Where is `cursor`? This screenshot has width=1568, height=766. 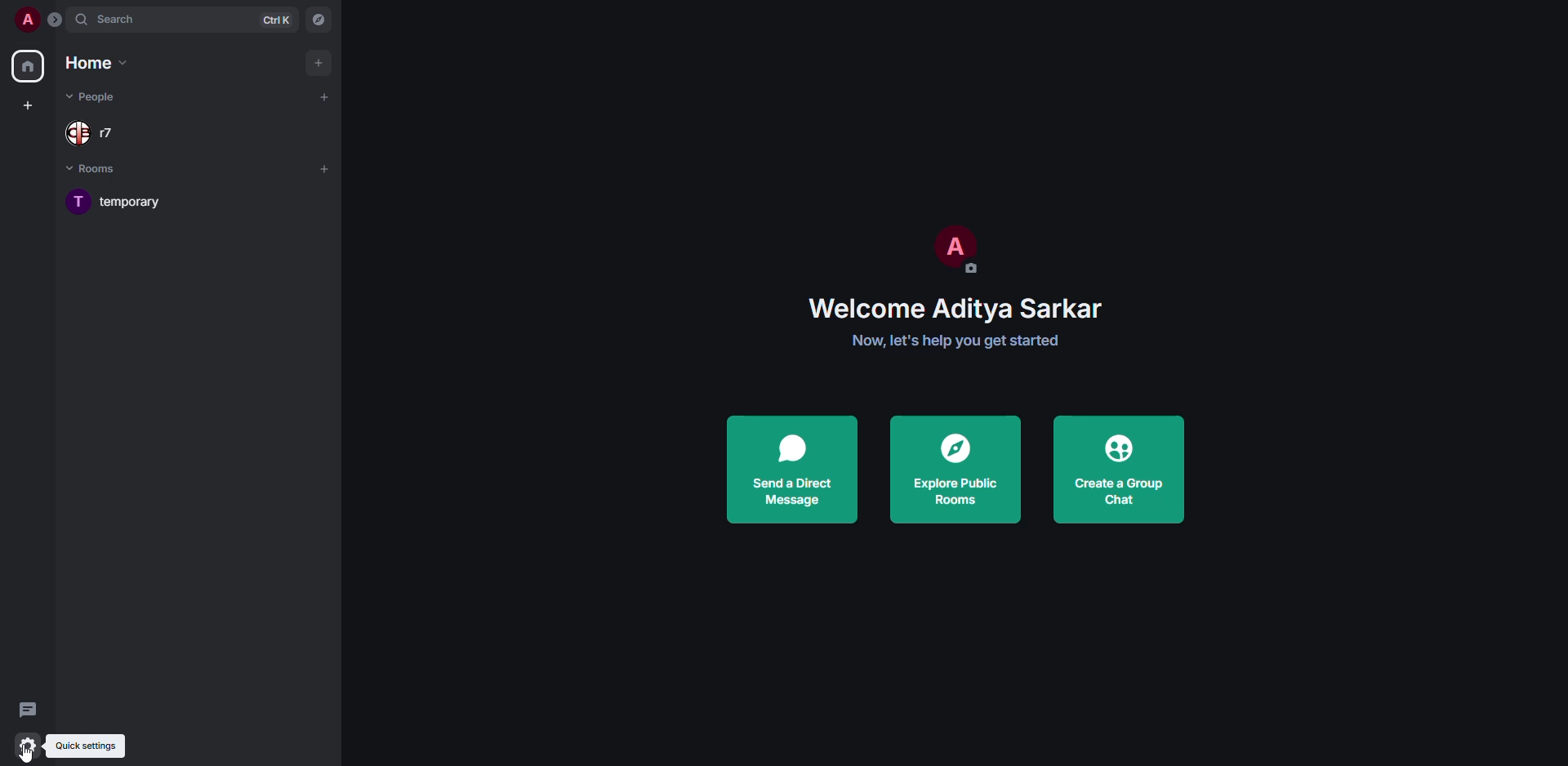
cursor is located at coordinates (27, 752).